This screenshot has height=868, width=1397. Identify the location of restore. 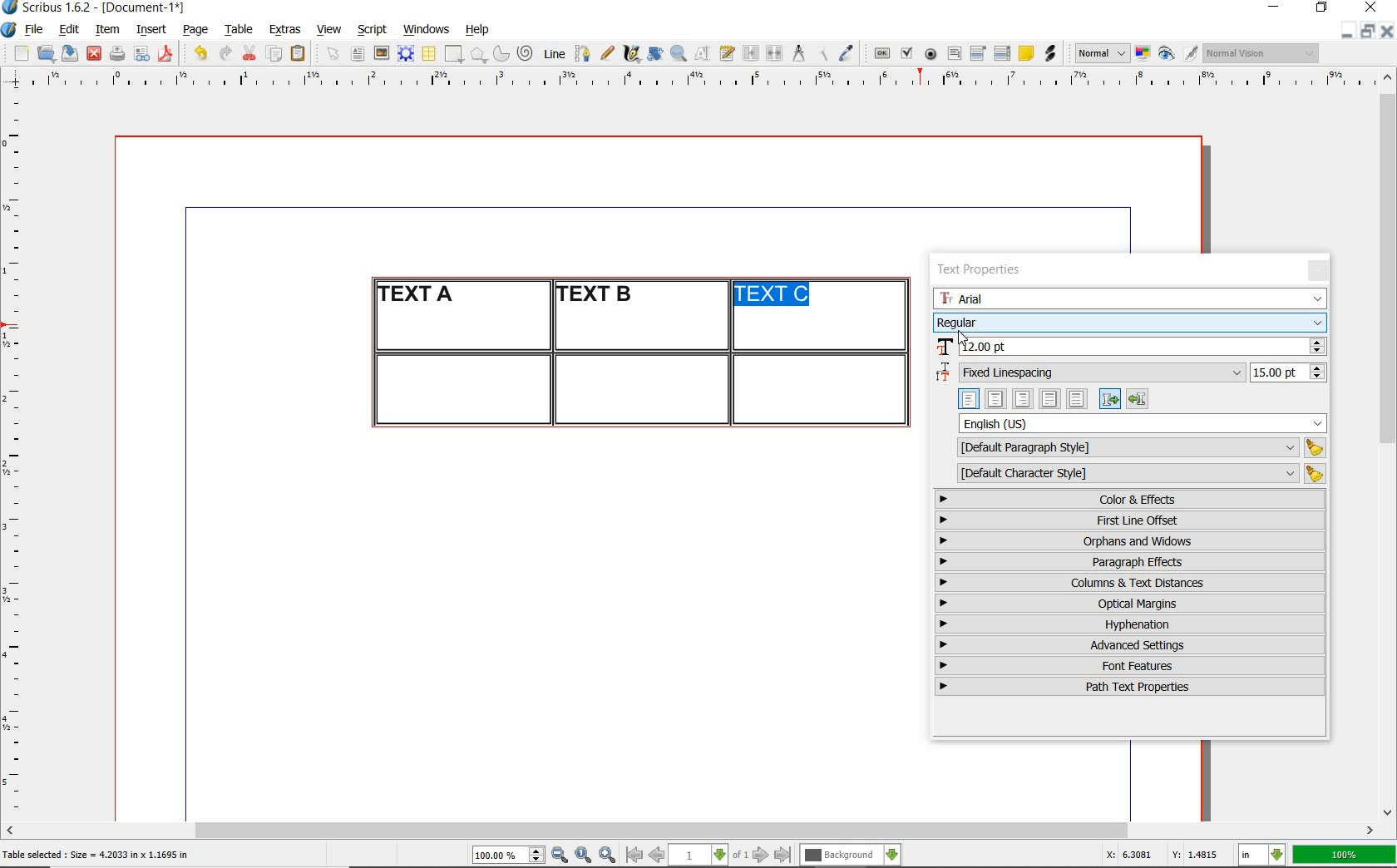
(1368, 30).